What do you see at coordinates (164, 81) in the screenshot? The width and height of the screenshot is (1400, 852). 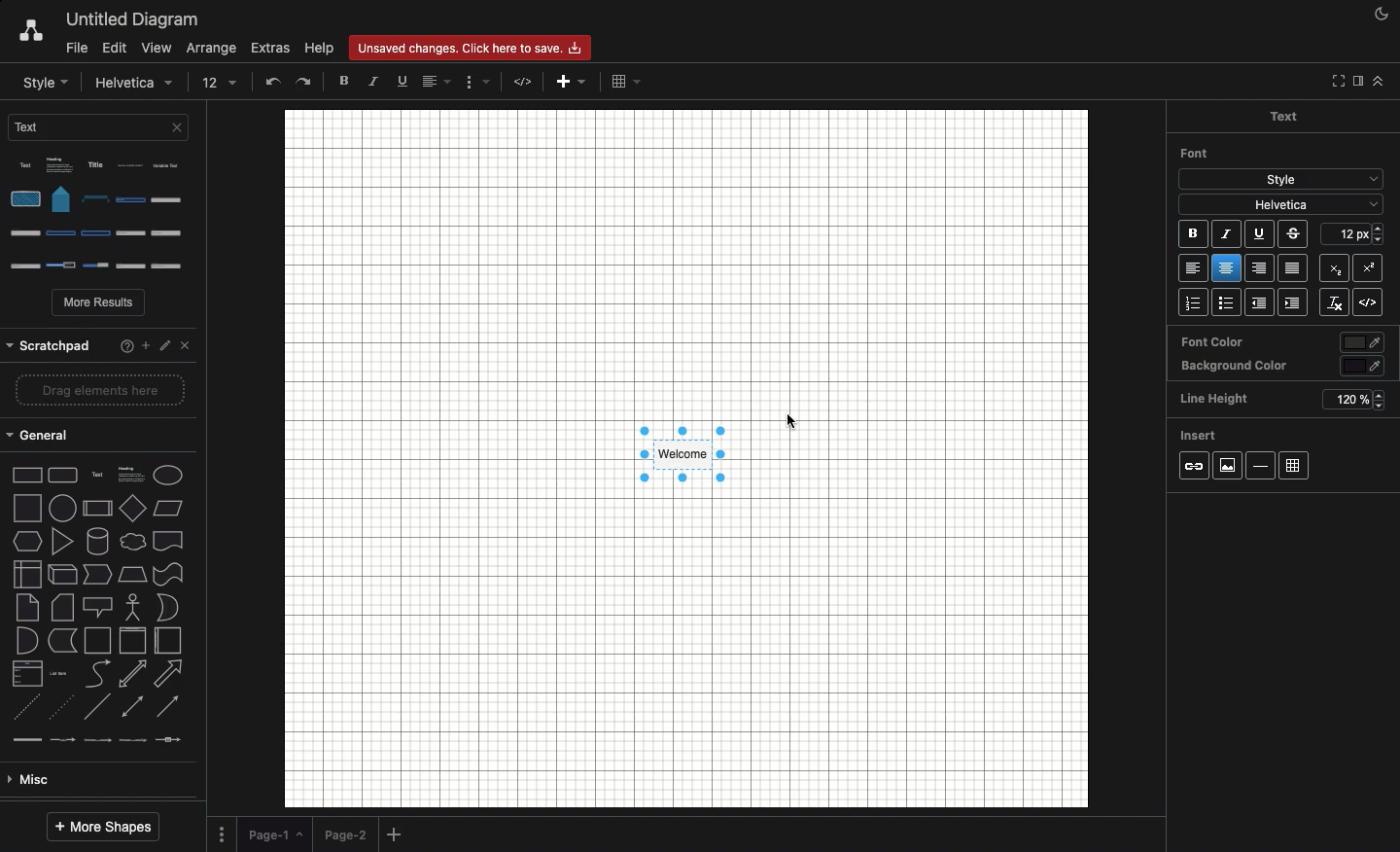 I see `Zoom in` at bounding box center [164, 81].